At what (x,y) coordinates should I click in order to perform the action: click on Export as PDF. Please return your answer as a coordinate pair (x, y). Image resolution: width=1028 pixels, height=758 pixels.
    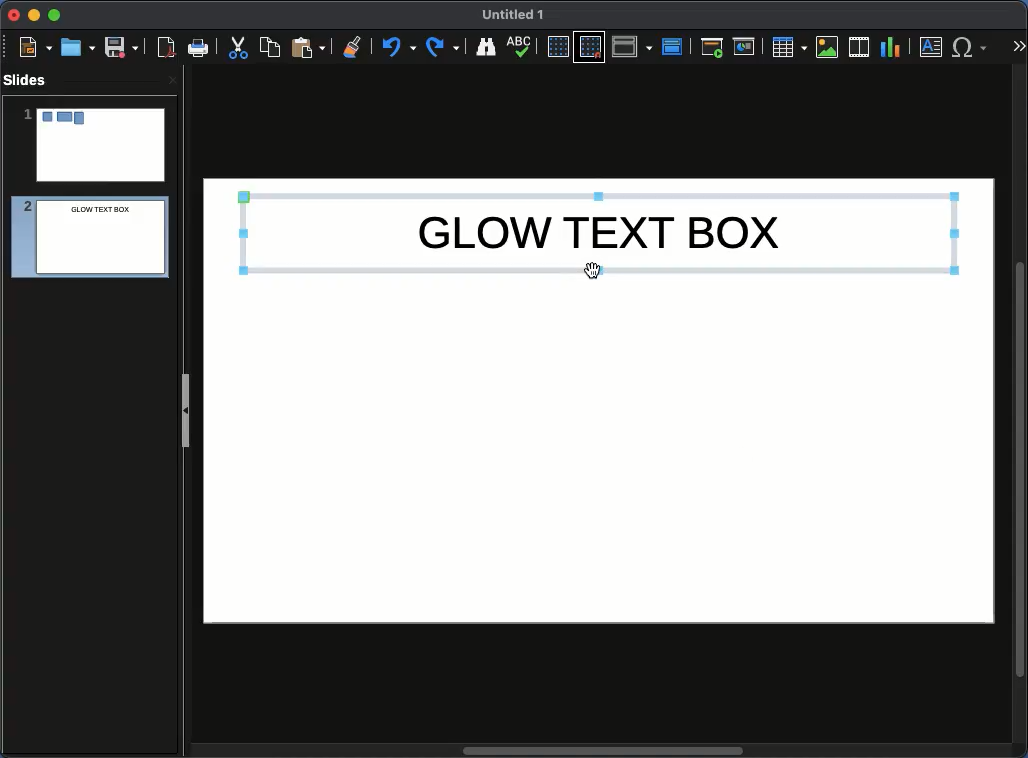
    Looking at the image, I should click on (166, 48).